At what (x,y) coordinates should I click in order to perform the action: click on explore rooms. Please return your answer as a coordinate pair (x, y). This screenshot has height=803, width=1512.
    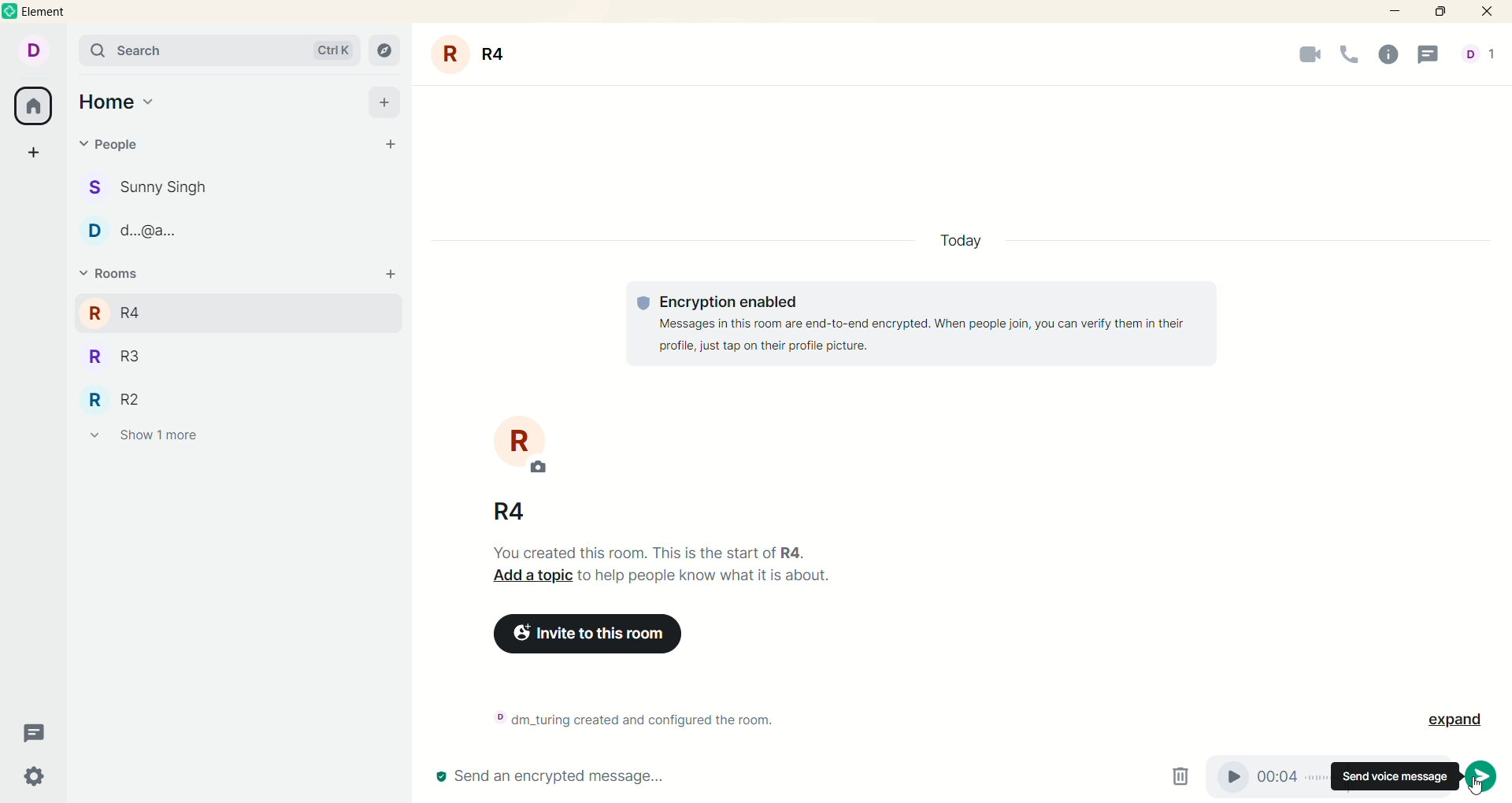
    Looking at the image, I should click on (386, 50).